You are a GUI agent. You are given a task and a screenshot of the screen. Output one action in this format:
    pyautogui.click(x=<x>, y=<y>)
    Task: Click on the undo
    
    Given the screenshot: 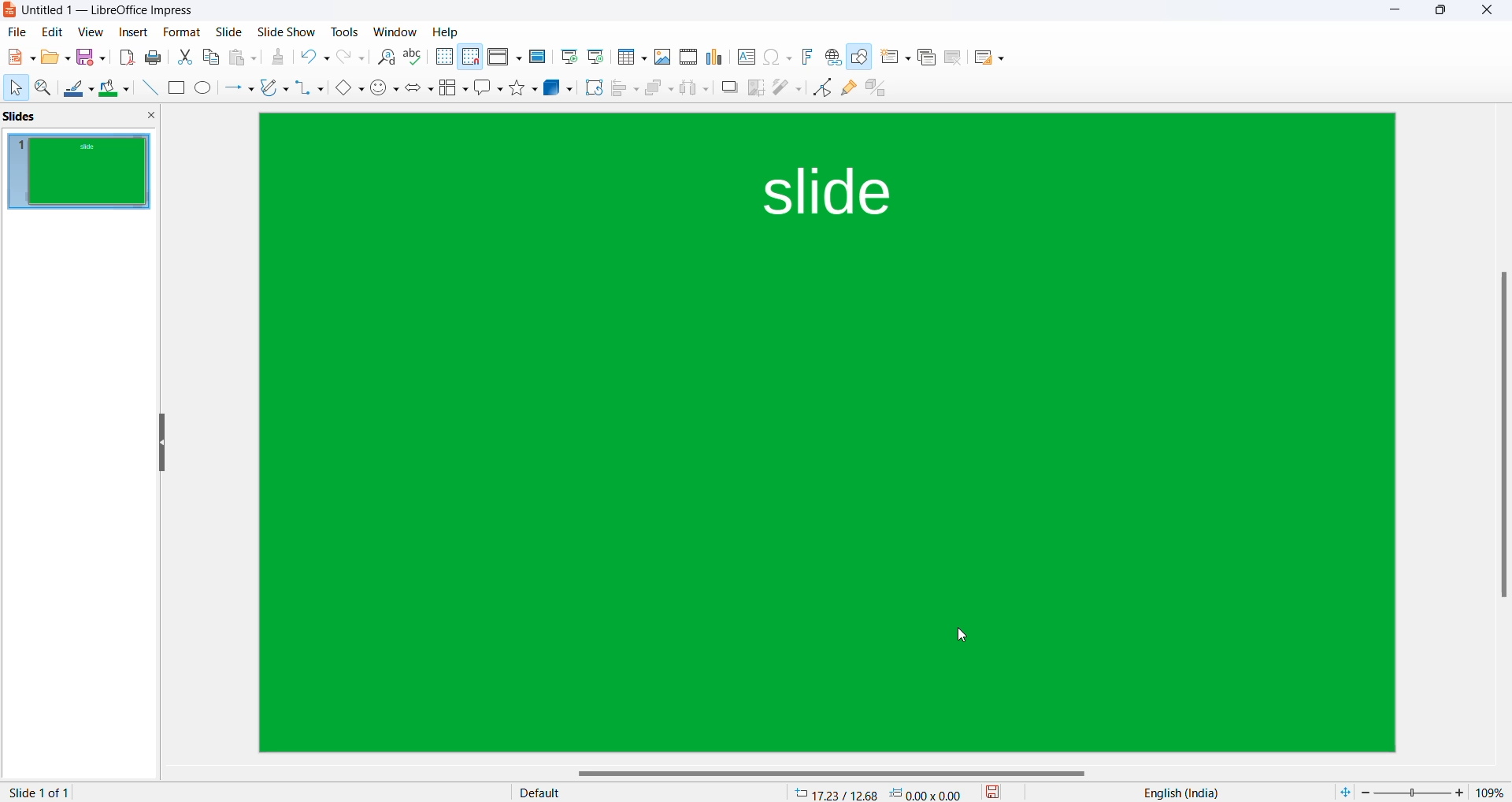 What is the action you would take?
    pyautogui.click(x=317, y=59)
    